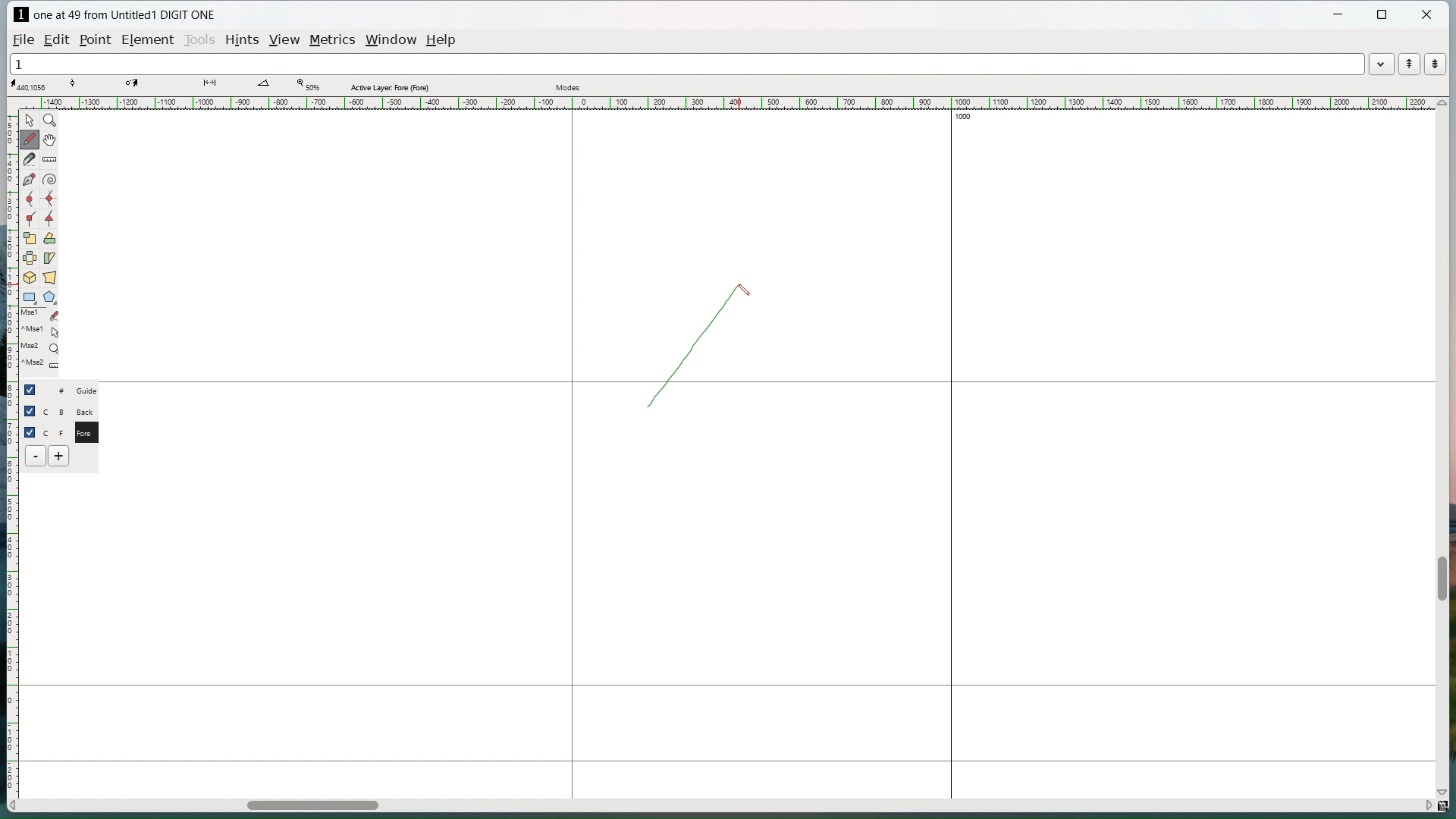 This screenshot has height=819, width=1456. I want to click on word list, so click(1382, 63).